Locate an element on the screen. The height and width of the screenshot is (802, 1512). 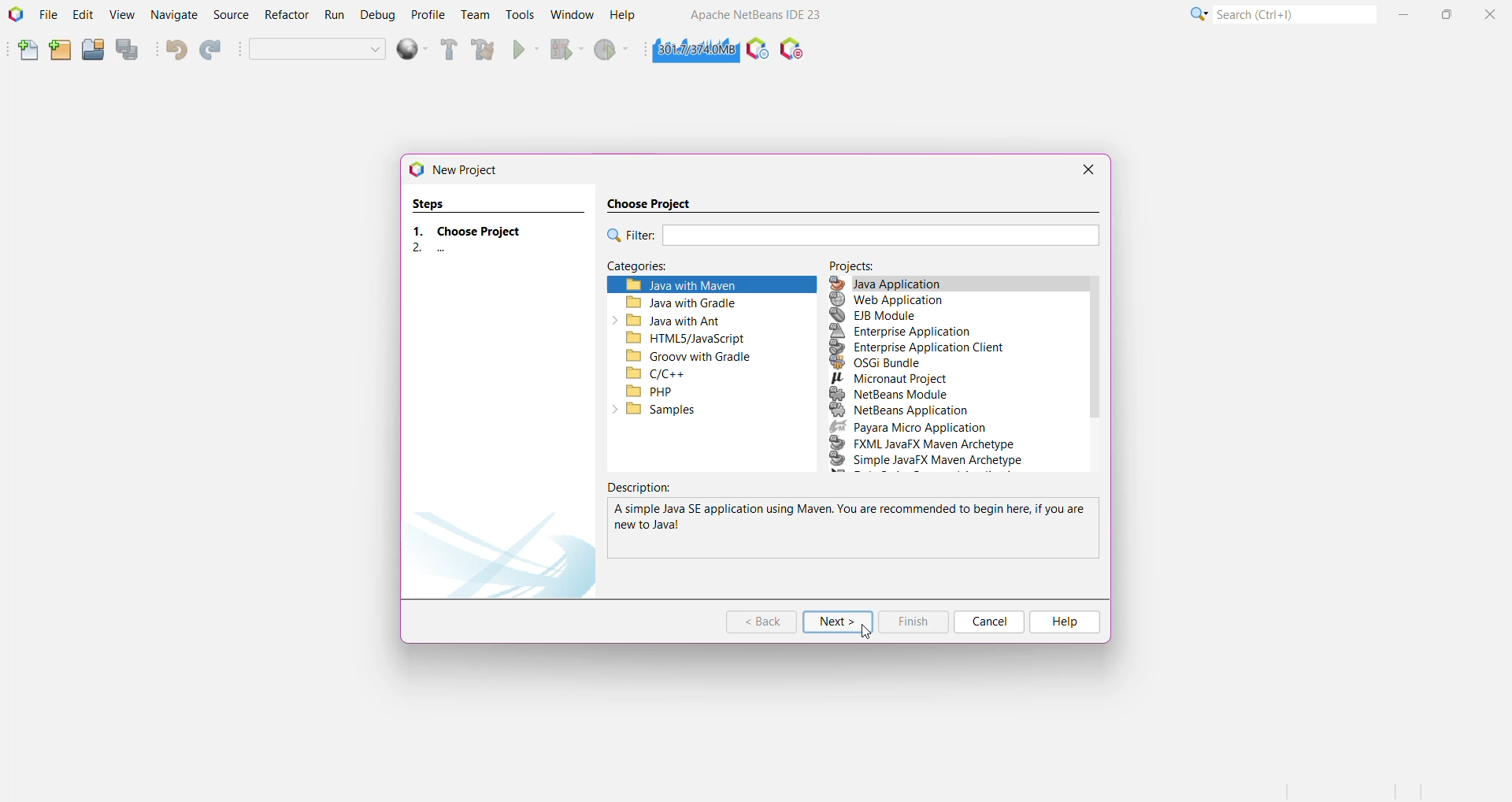
cursor is located at coordinates (865, 631).